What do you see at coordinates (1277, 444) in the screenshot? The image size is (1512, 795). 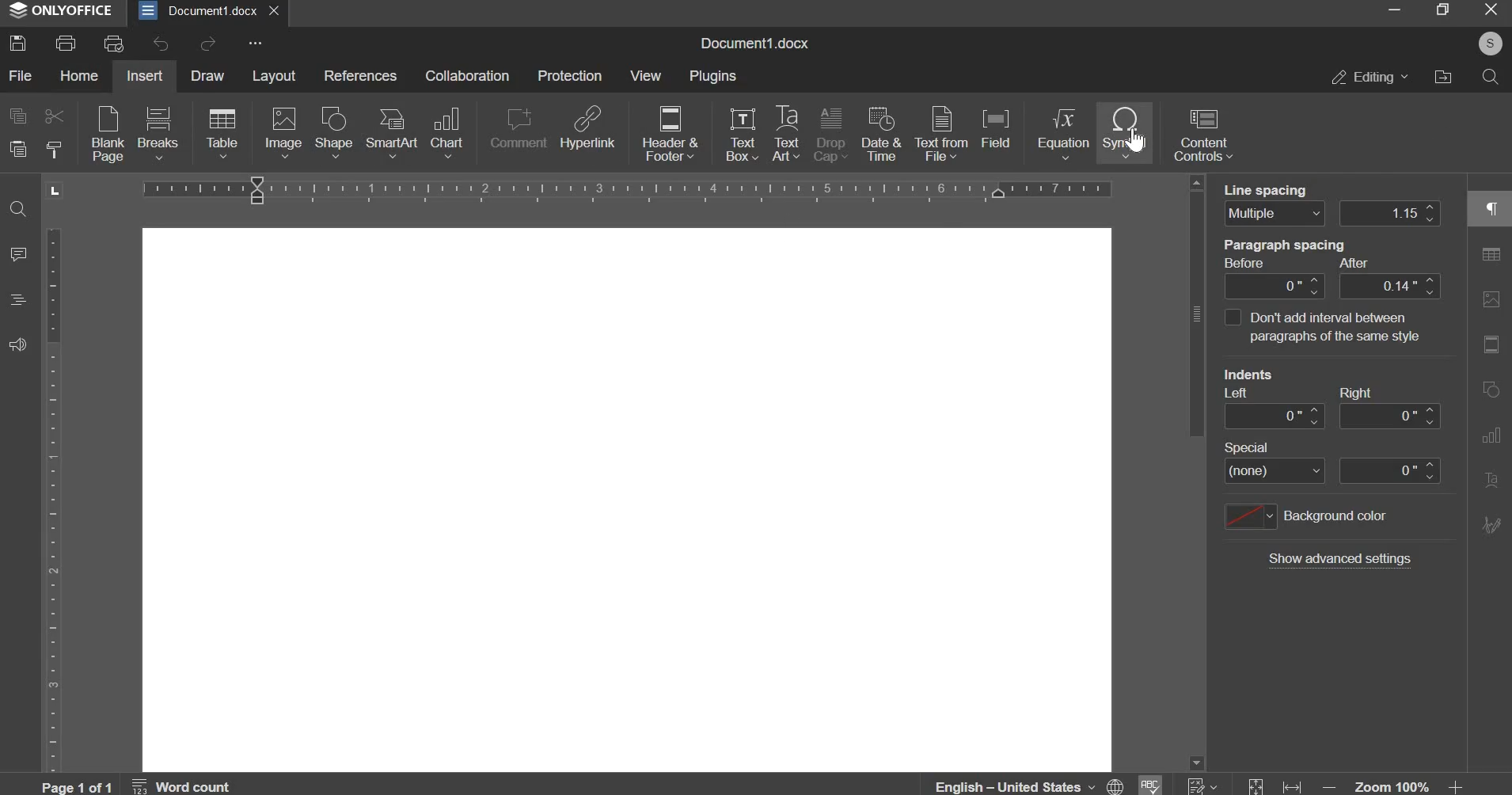 I see `spacial` at bounding box center [1277, 444].